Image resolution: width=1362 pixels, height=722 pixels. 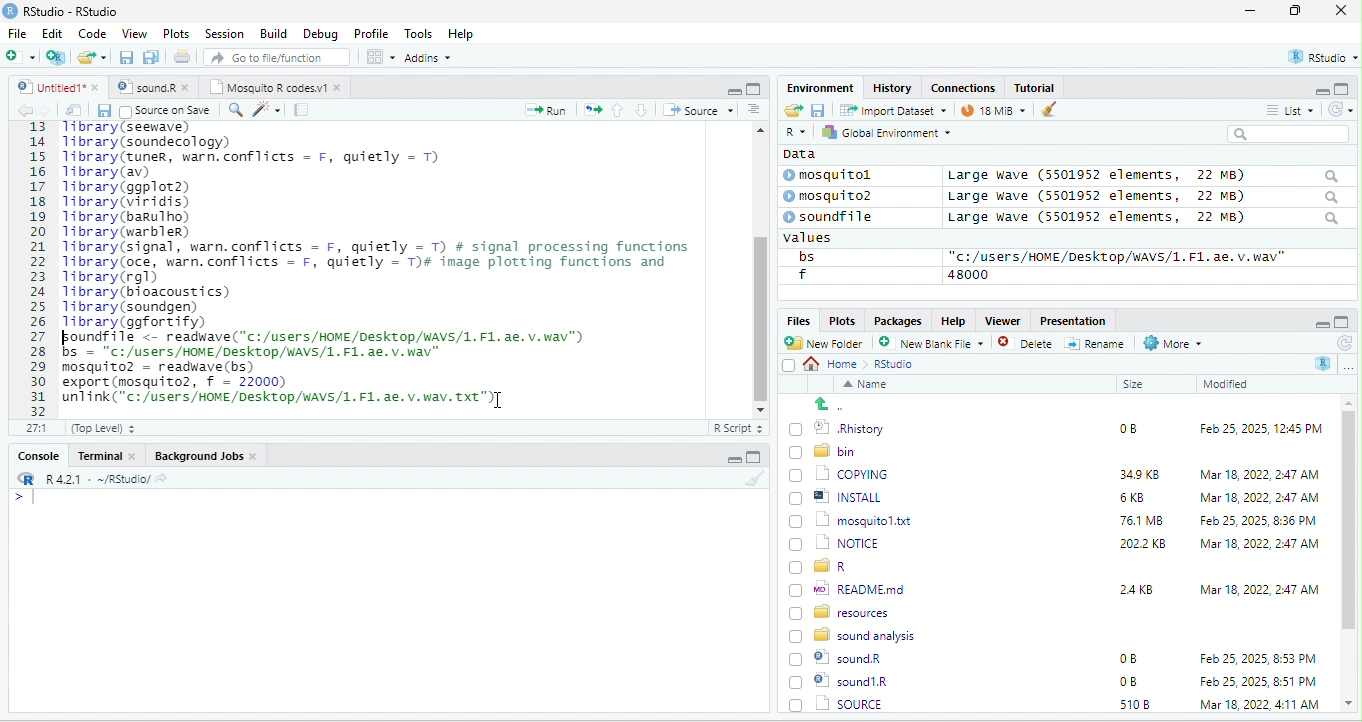 What do you see at coordinates (842, 660) in the screenshot?
I see `© sound1R` at bounding box center [842, 660].